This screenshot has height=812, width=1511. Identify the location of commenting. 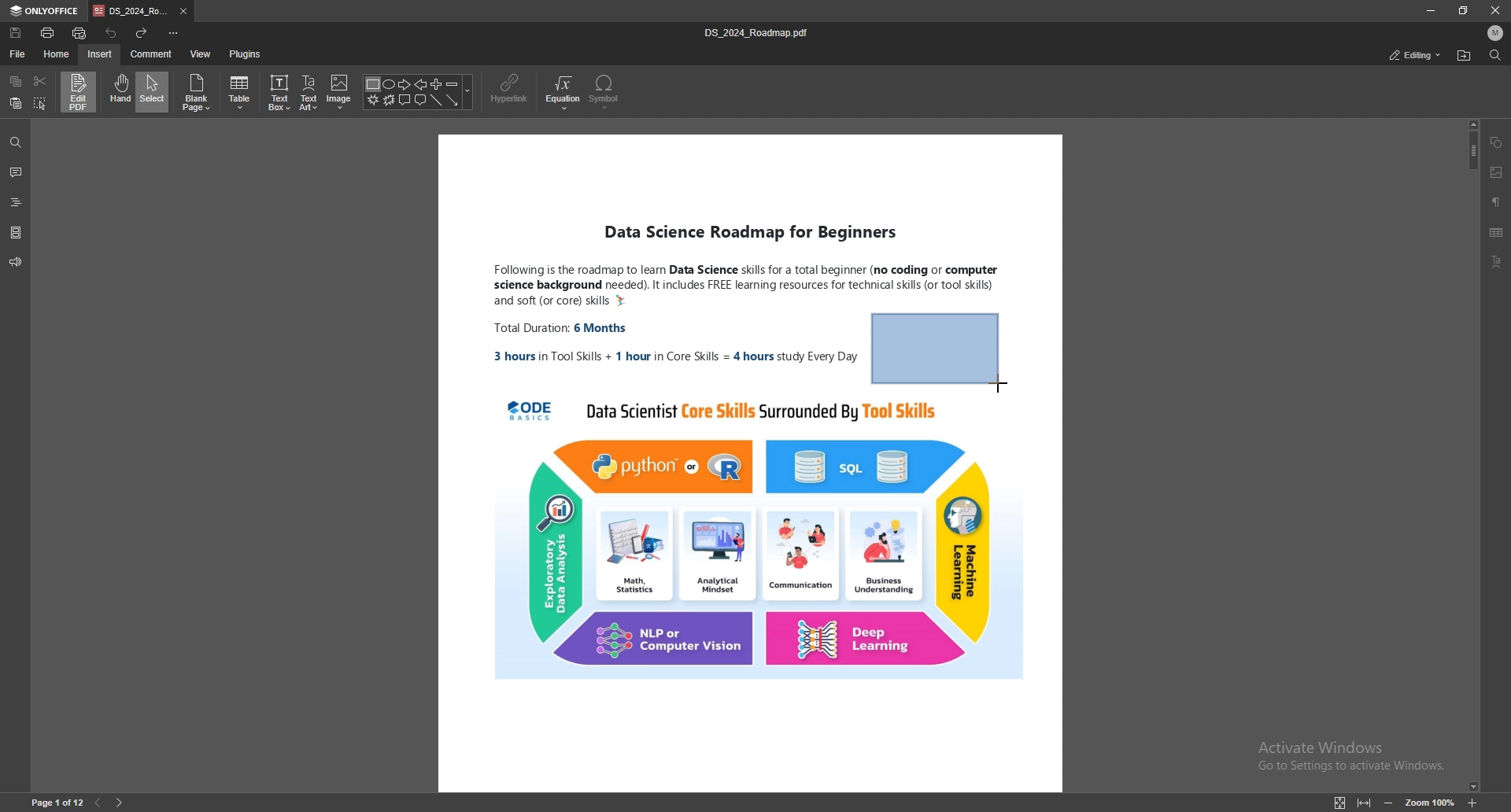
(1403, 54).